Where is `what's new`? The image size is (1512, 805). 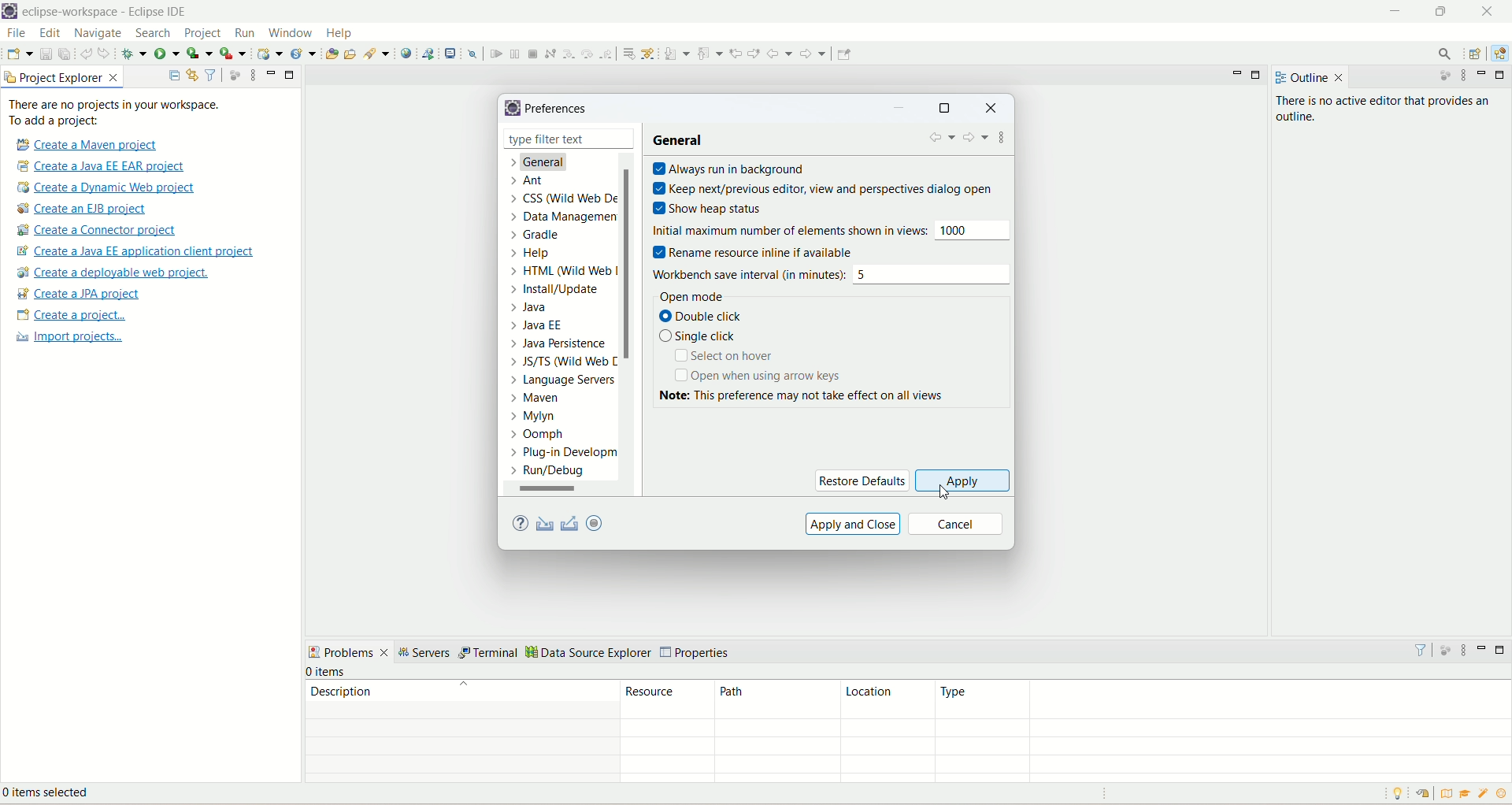
what's new is located at coordinates (1484, 796).